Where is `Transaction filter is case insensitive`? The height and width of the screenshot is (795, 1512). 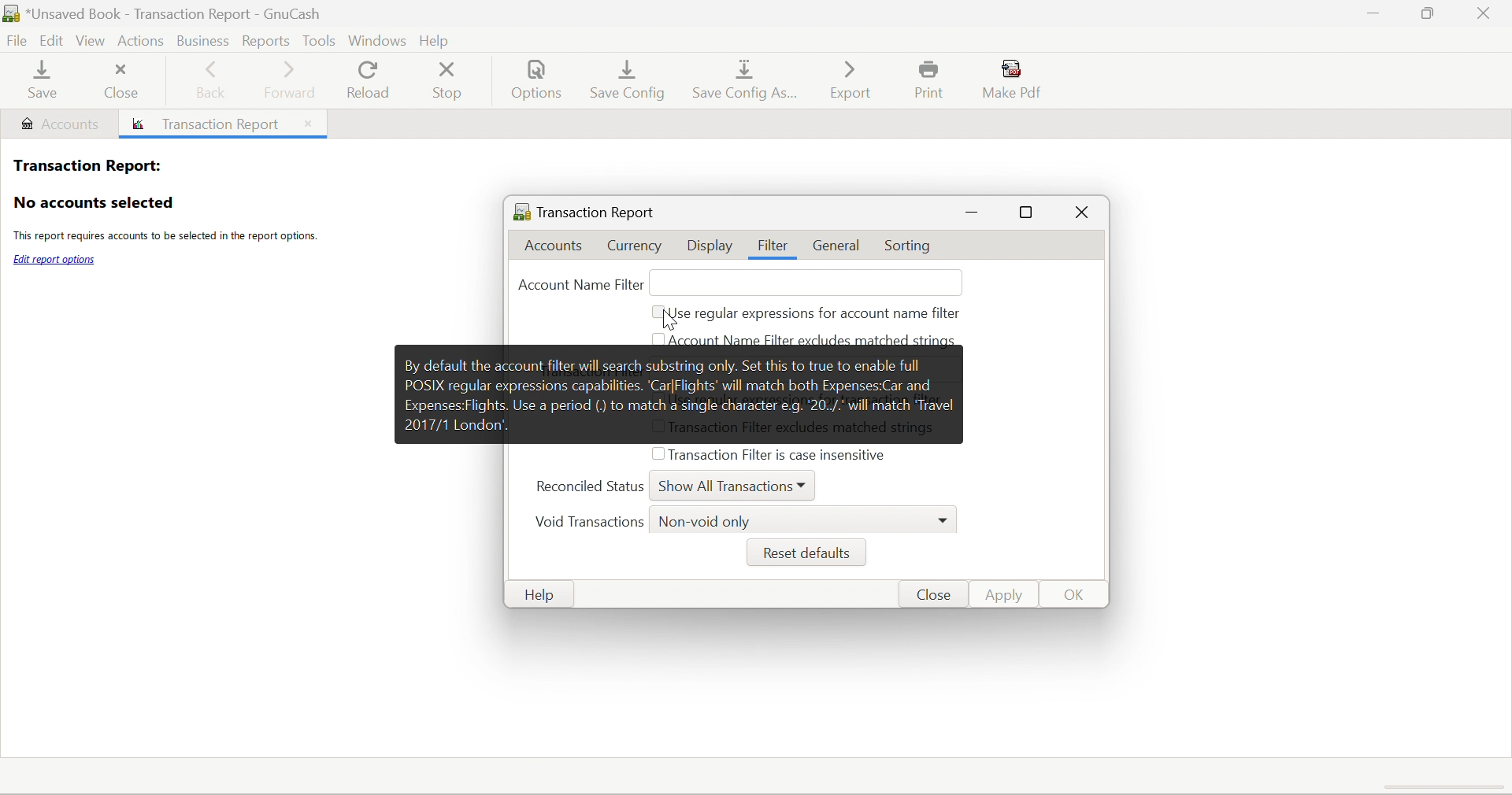 Transaction filter is case insensitive is located at coordinates (777, 453).